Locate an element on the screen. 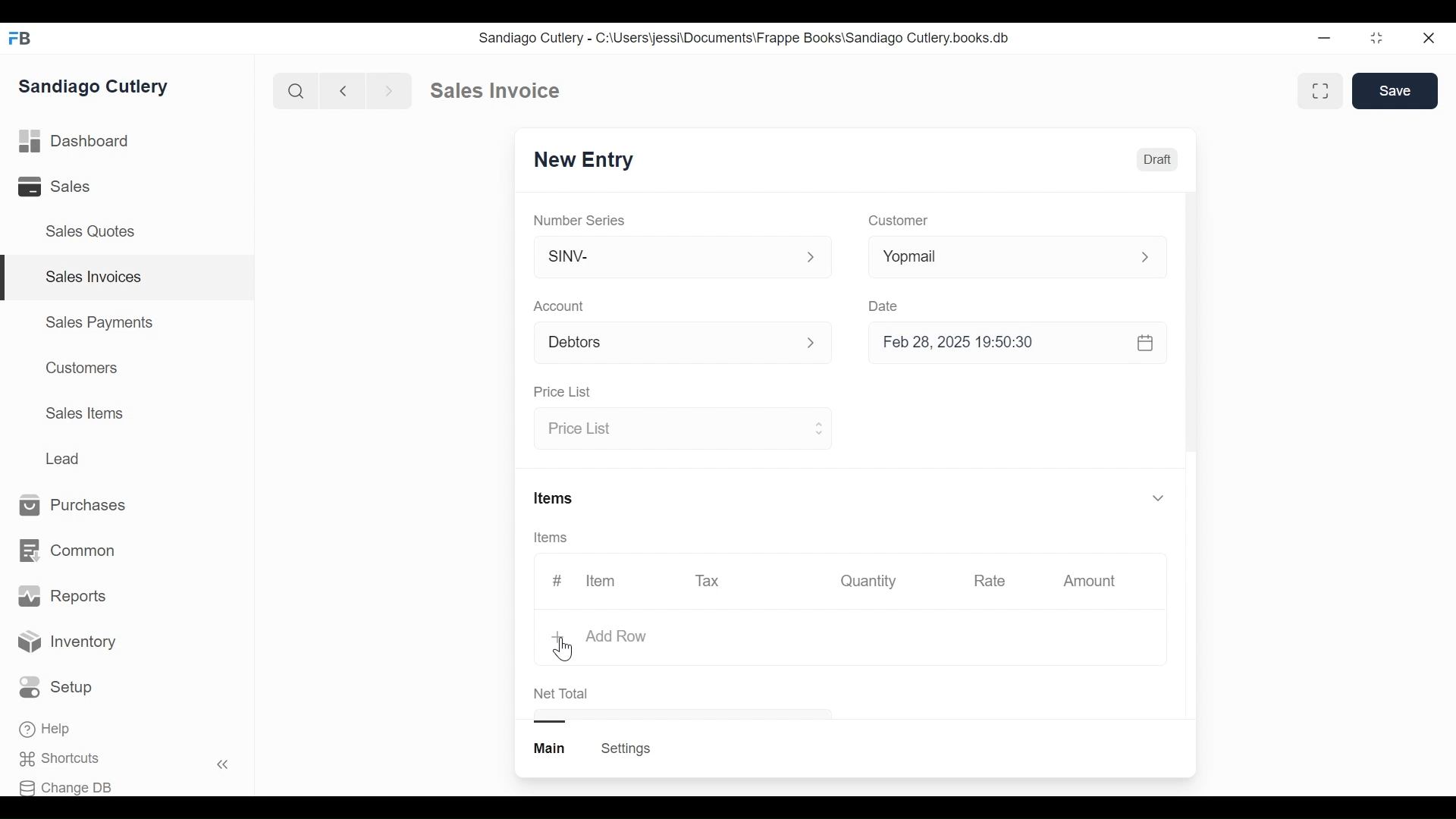 The image size is (1456, 819). fullscreen is located at coordinates (1323, 90).